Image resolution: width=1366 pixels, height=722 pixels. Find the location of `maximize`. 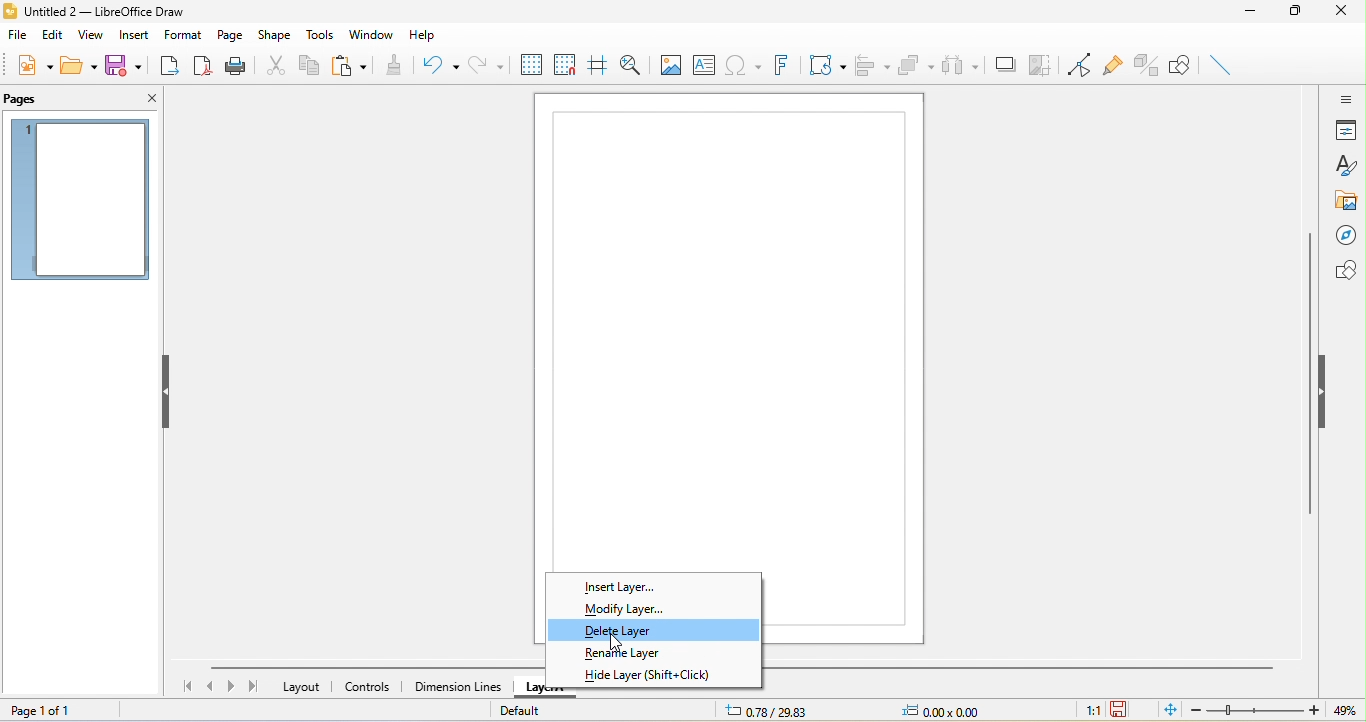

maximize is located at coordinates (1294, 14).